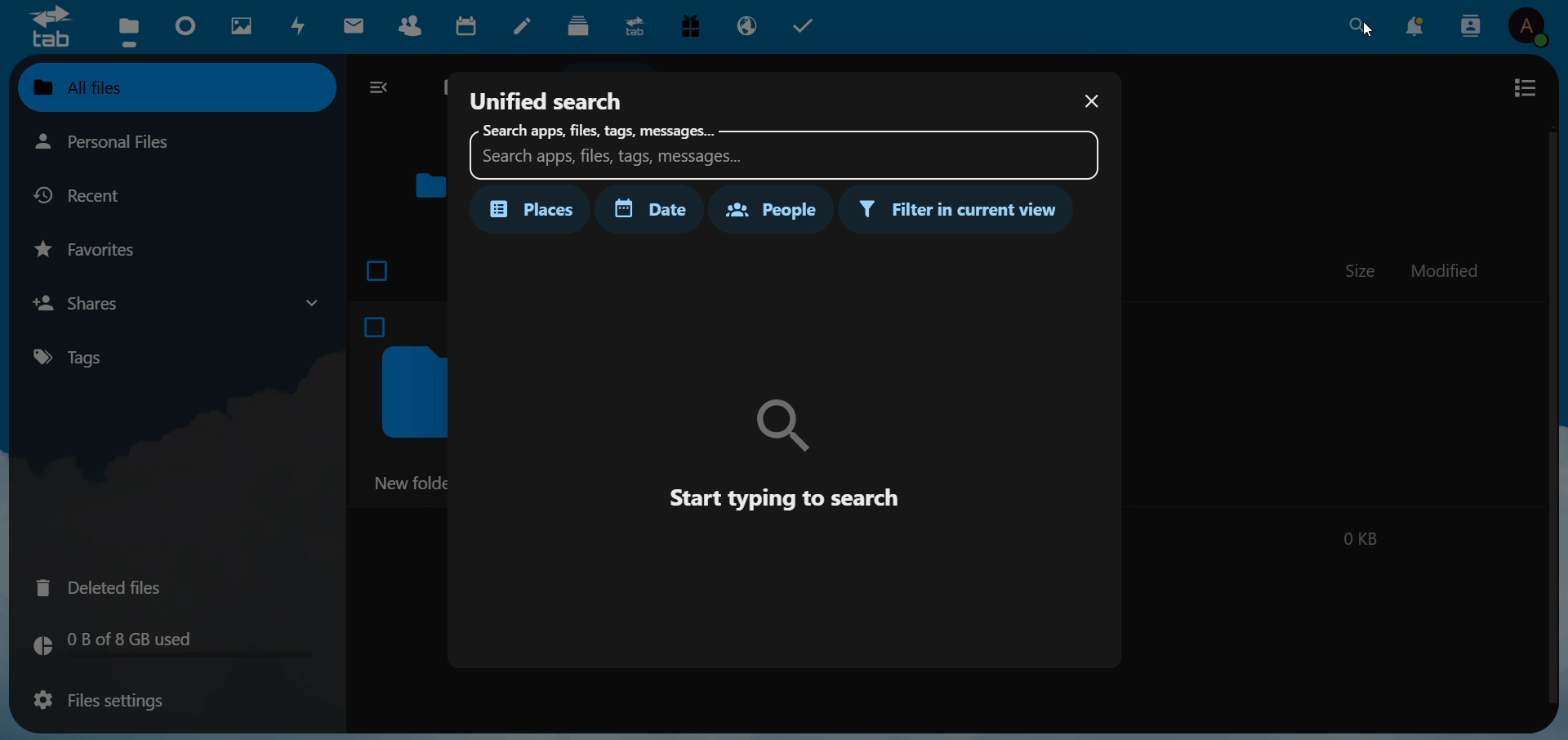 This screenshot has width=1568, height=740. What do you see at coordinates (94, 248) in the screenshot?
I see `favorites` at bounding box center [94, 248].